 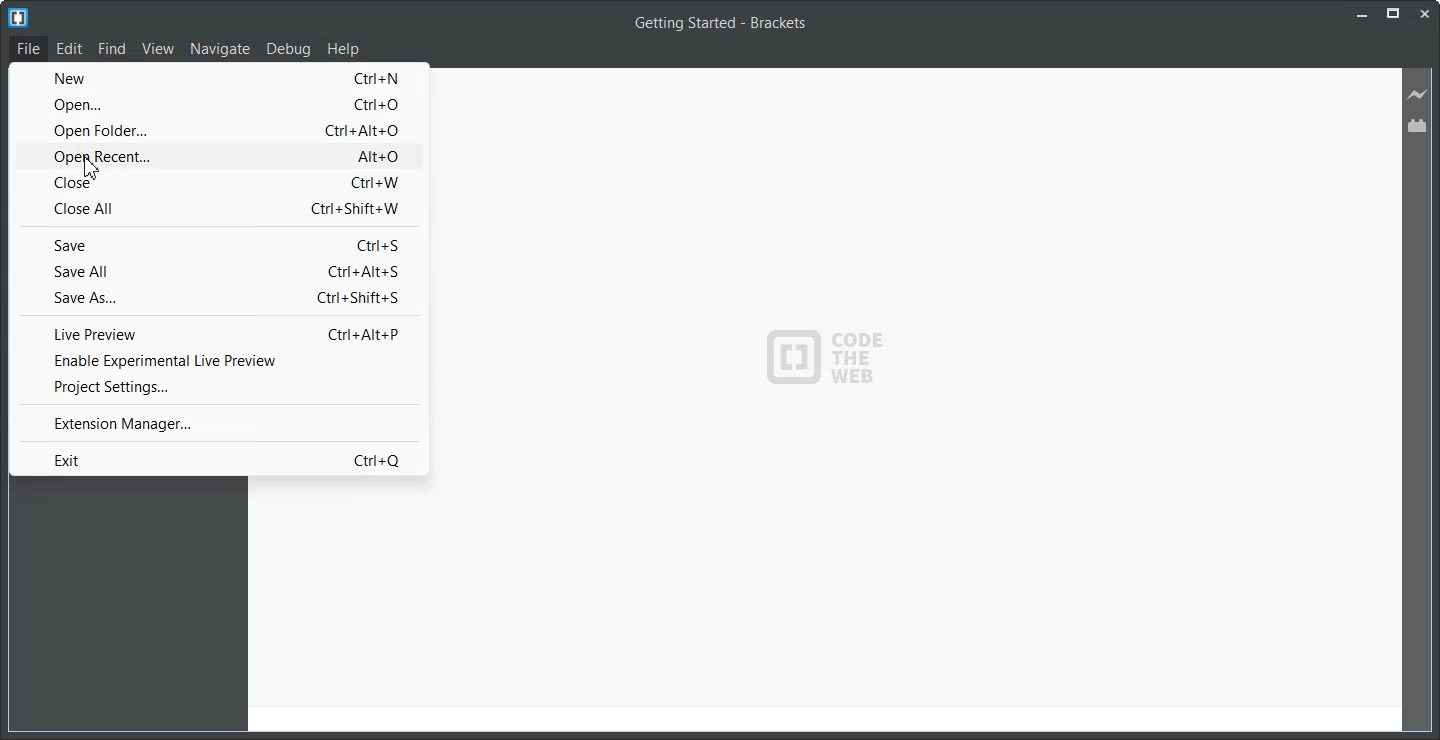 I want to click on New, so click(x=215, y=77).